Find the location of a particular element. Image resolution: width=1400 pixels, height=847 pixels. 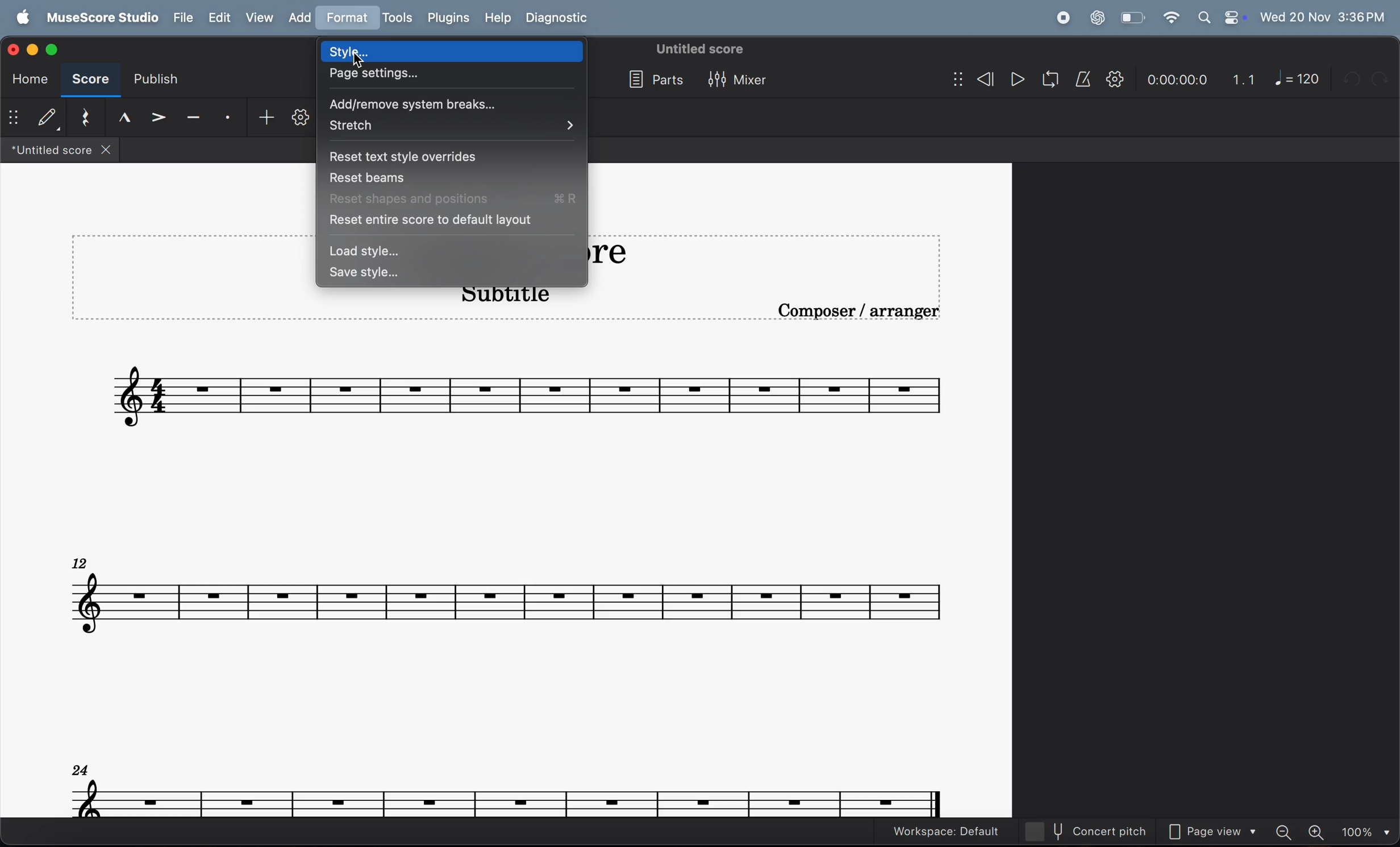

reset shapes and positions is located at coordinates (456, 199).